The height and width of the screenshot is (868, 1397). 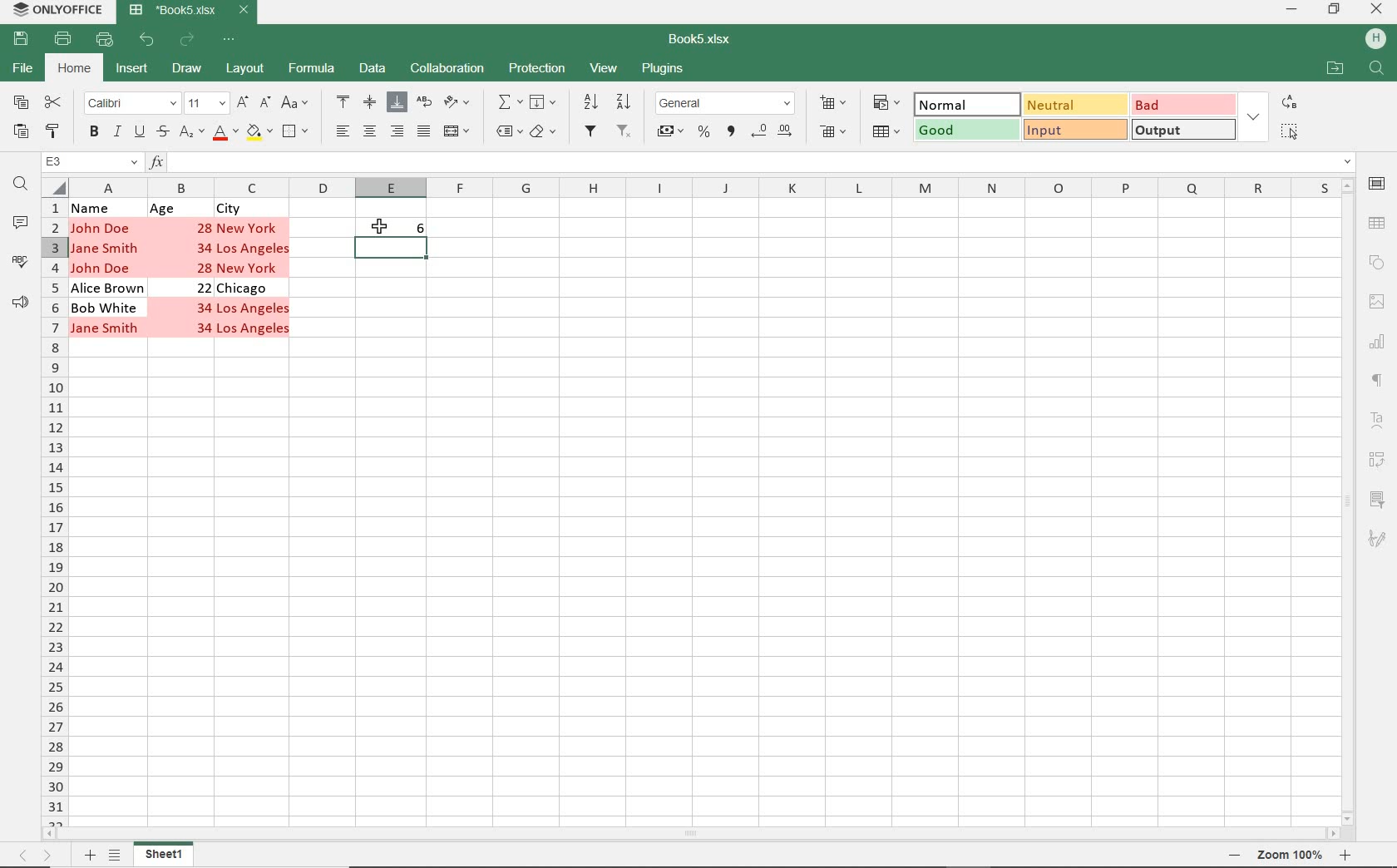 What do you see at coordinates (205, 332) in the screenshot?
I see `34` at bounding box center [205, 332].